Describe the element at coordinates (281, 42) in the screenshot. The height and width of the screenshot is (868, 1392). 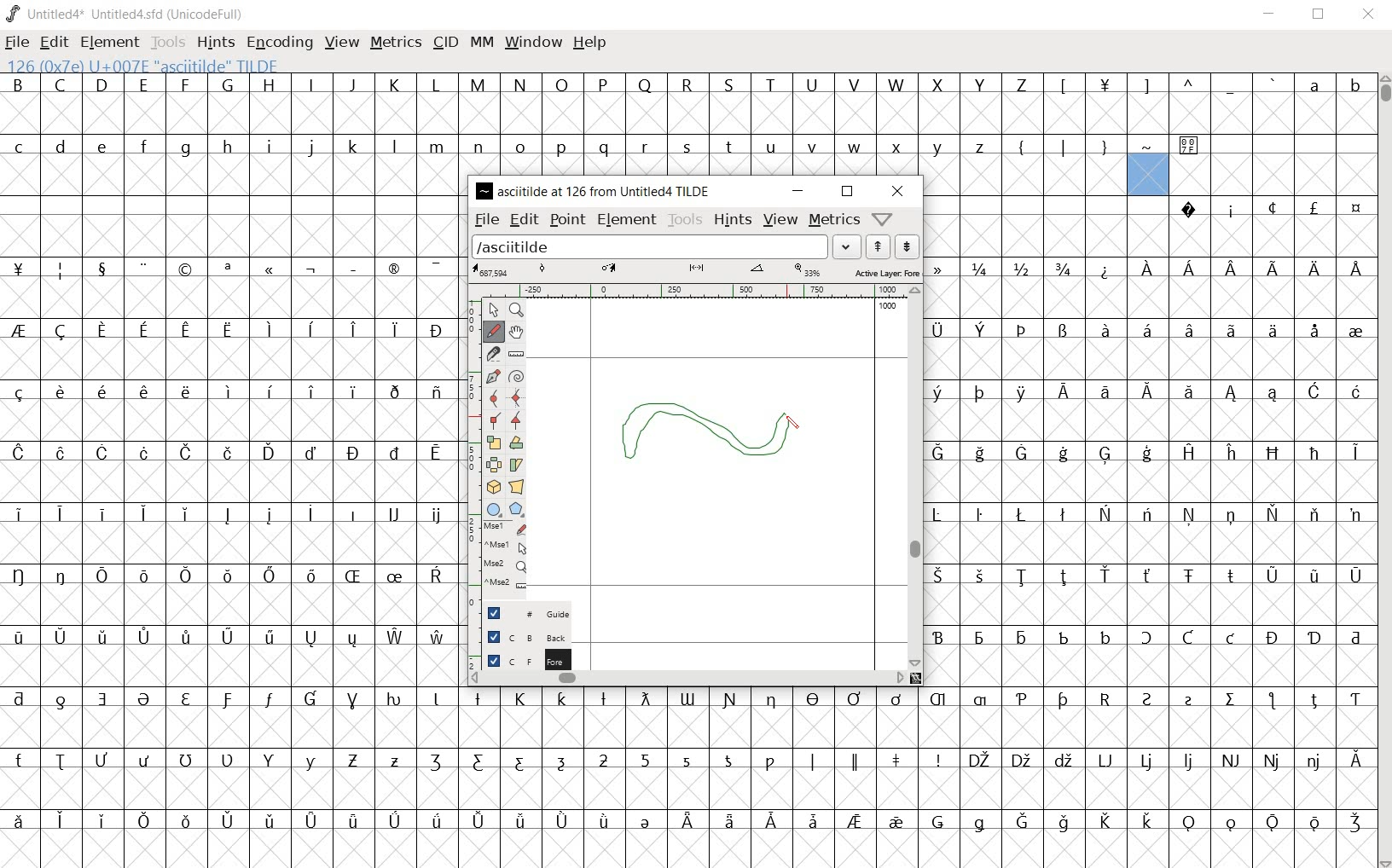
I see `ENCODING` at that location.